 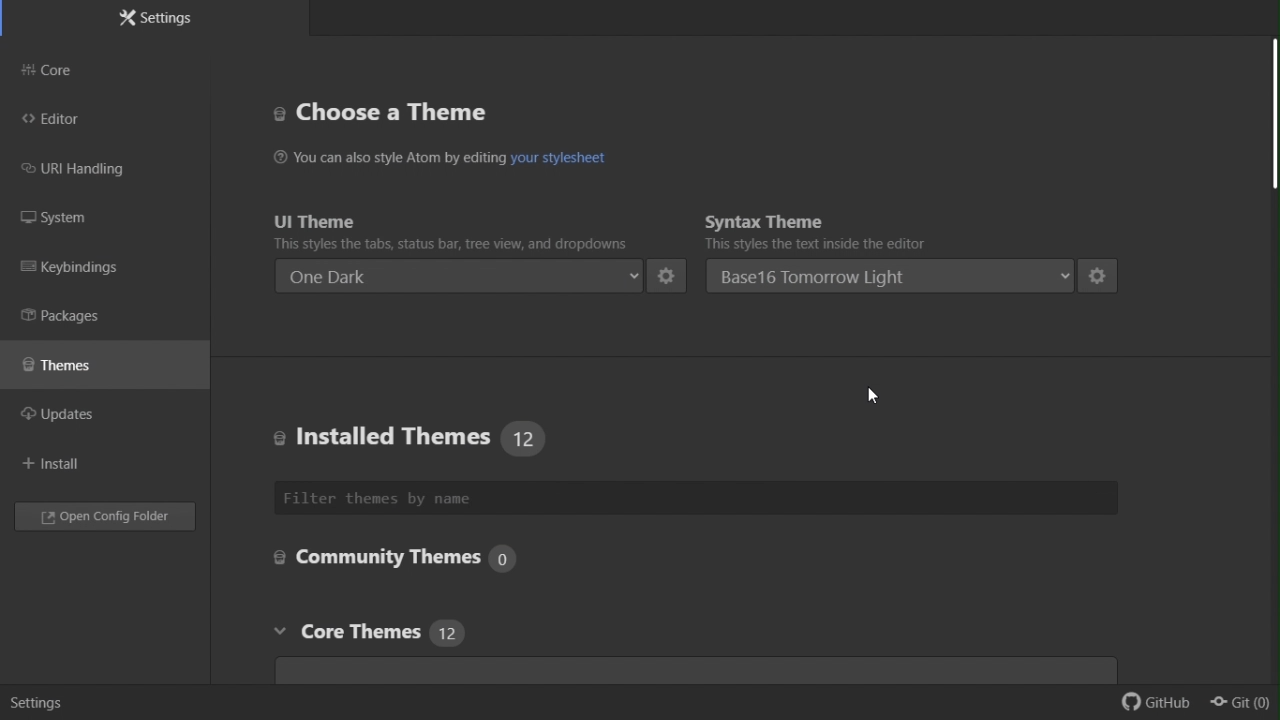 What do you see at coordinates (451, 498) in the screenshot?
I see `Filter themes by name` at bounding box center [451, 498].